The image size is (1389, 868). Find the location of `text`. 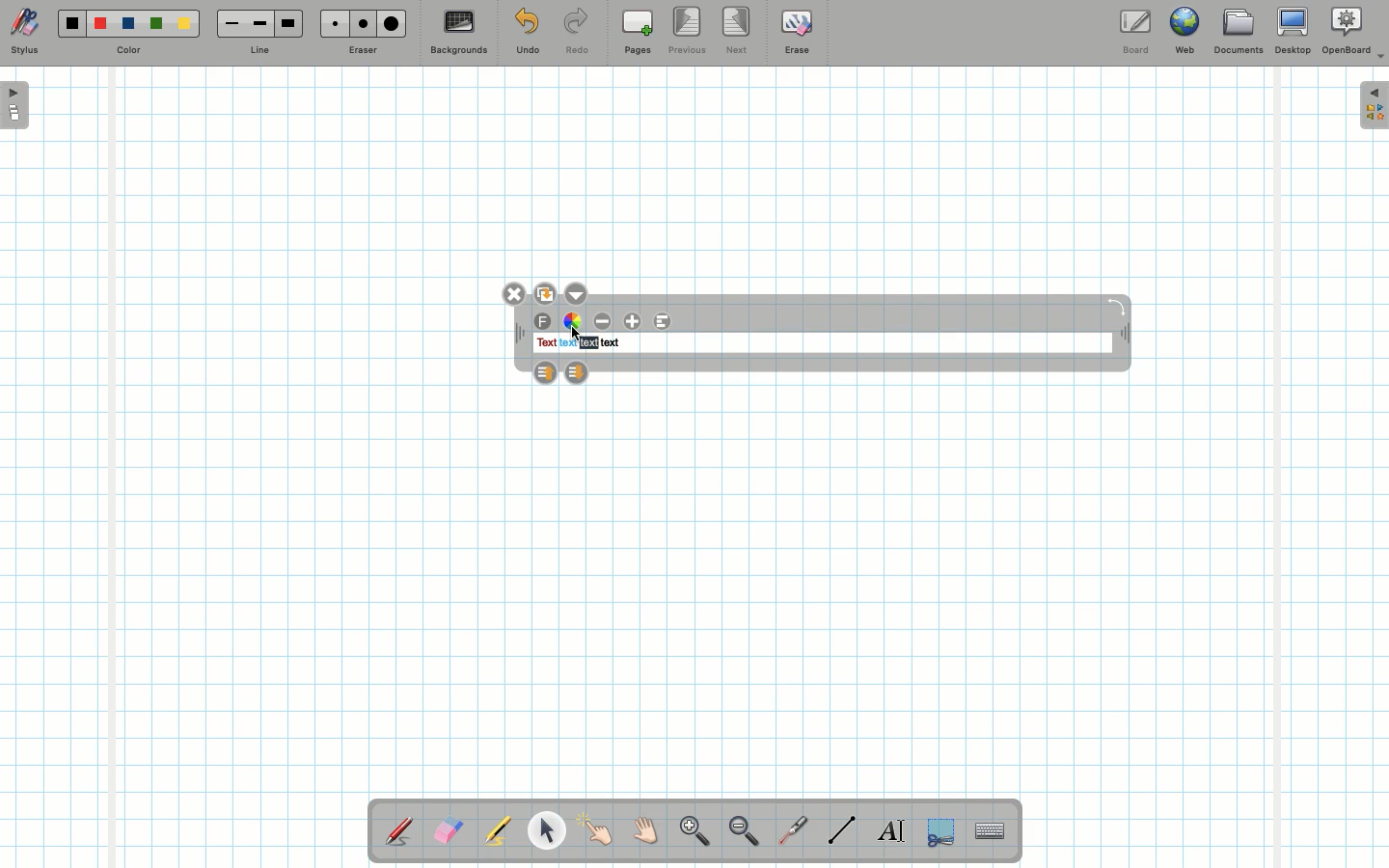

text is located at coordinates (611, 343).